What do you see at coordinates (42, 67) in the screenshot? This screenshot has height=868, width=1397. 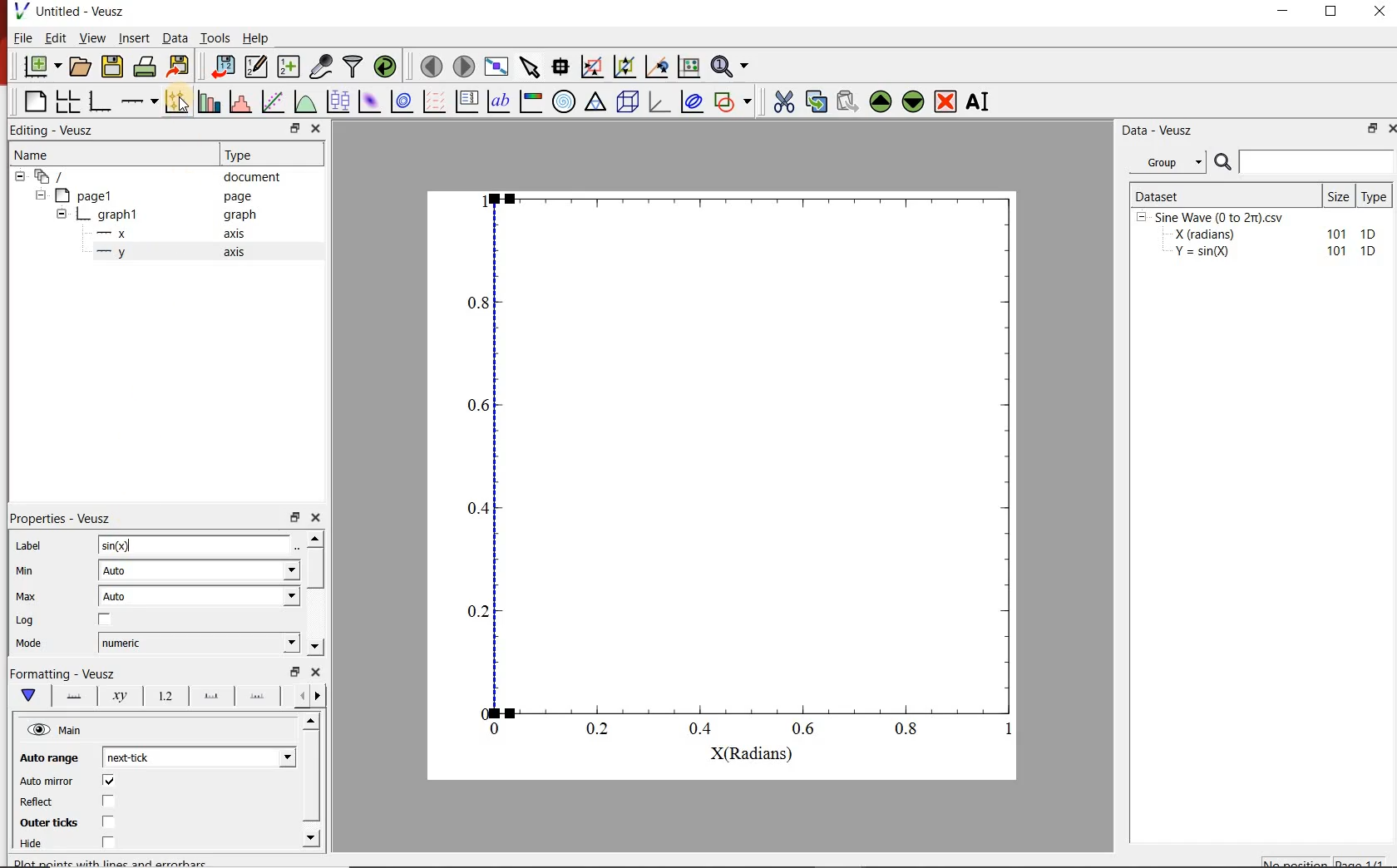 I see `new document` at bounding box center [42, 67].